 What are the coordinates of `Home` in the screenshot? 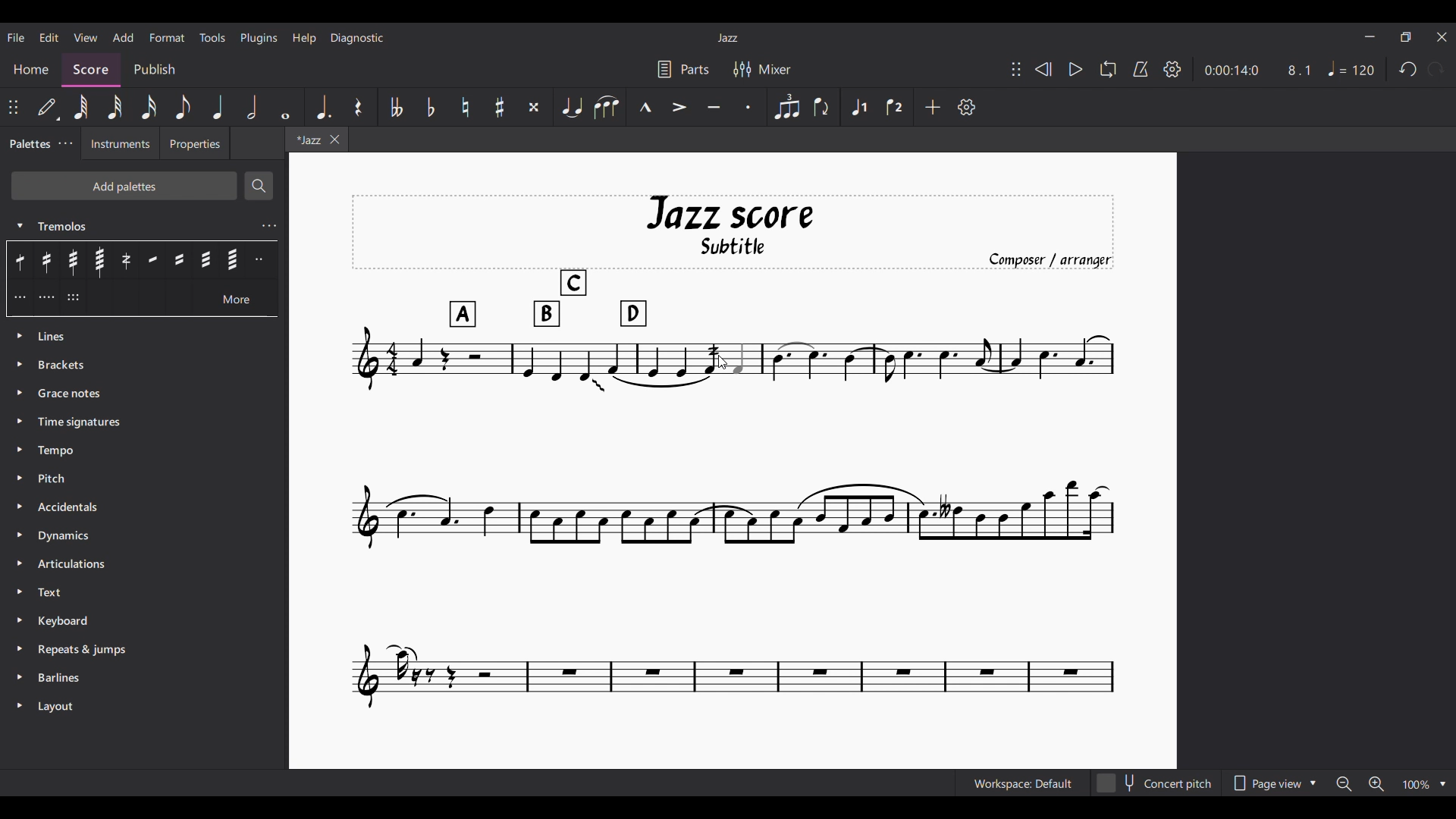 It's located at (30, 70).